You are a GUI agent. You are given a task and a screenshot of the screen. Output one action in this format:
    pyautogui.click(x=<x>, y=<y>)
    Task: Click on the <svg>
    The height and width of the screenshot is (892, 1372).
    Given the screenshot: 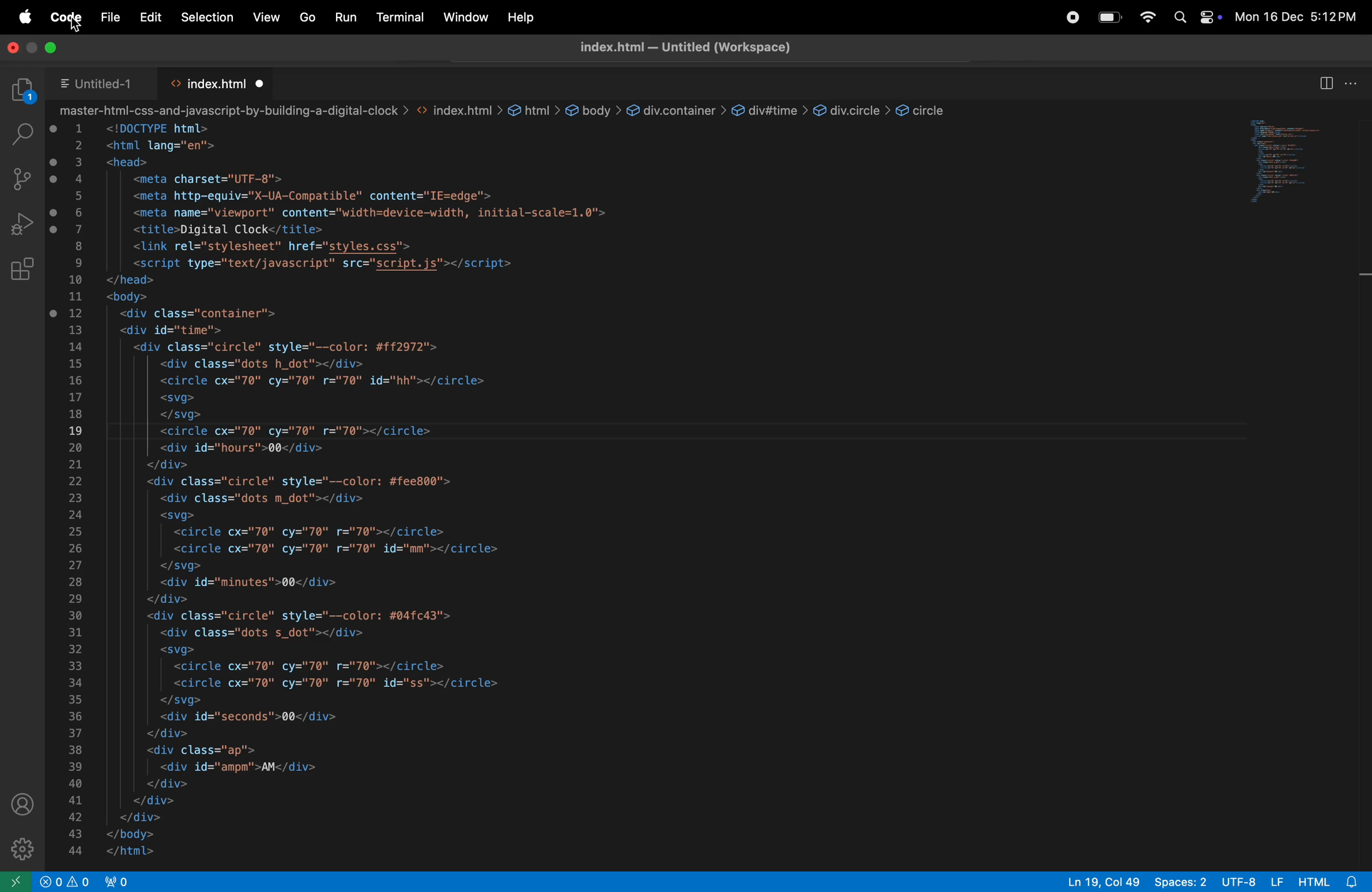 What is the action you would take?
    pyautogui.click(x=176, y=516)
    